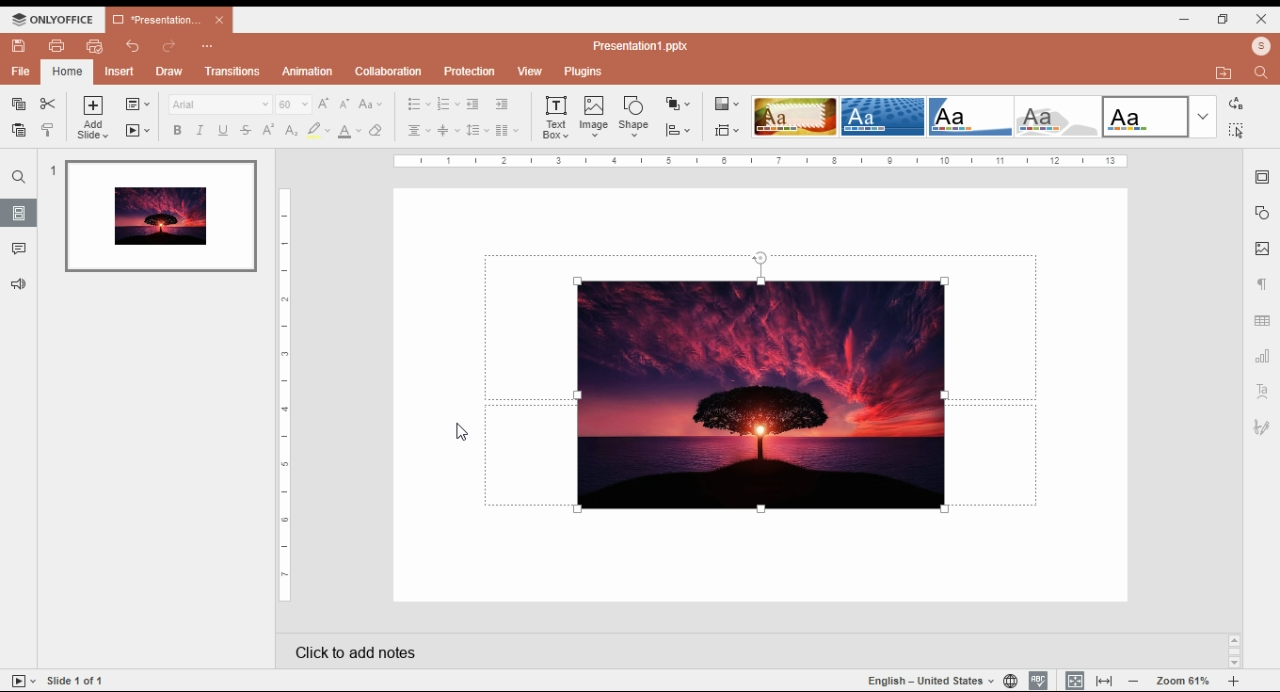 This screenshot has width=1280, height=692. What do you see at coordinates (56, 46) in the screenshot?
I see `print file` at bounding box center [56, 46].